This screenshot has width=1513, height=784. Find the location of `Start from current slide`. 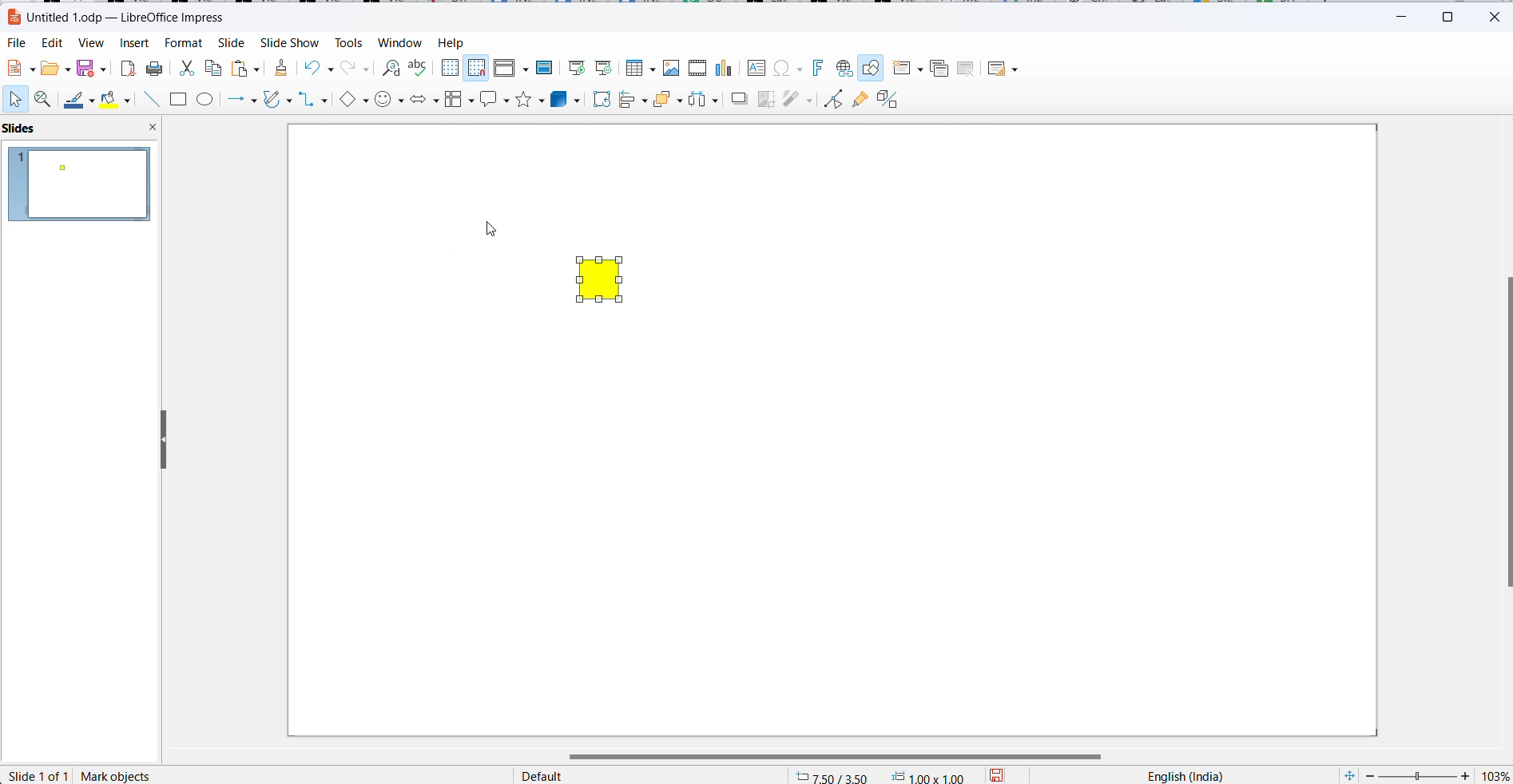

Start from current slide is located at coordinates (604, 68).